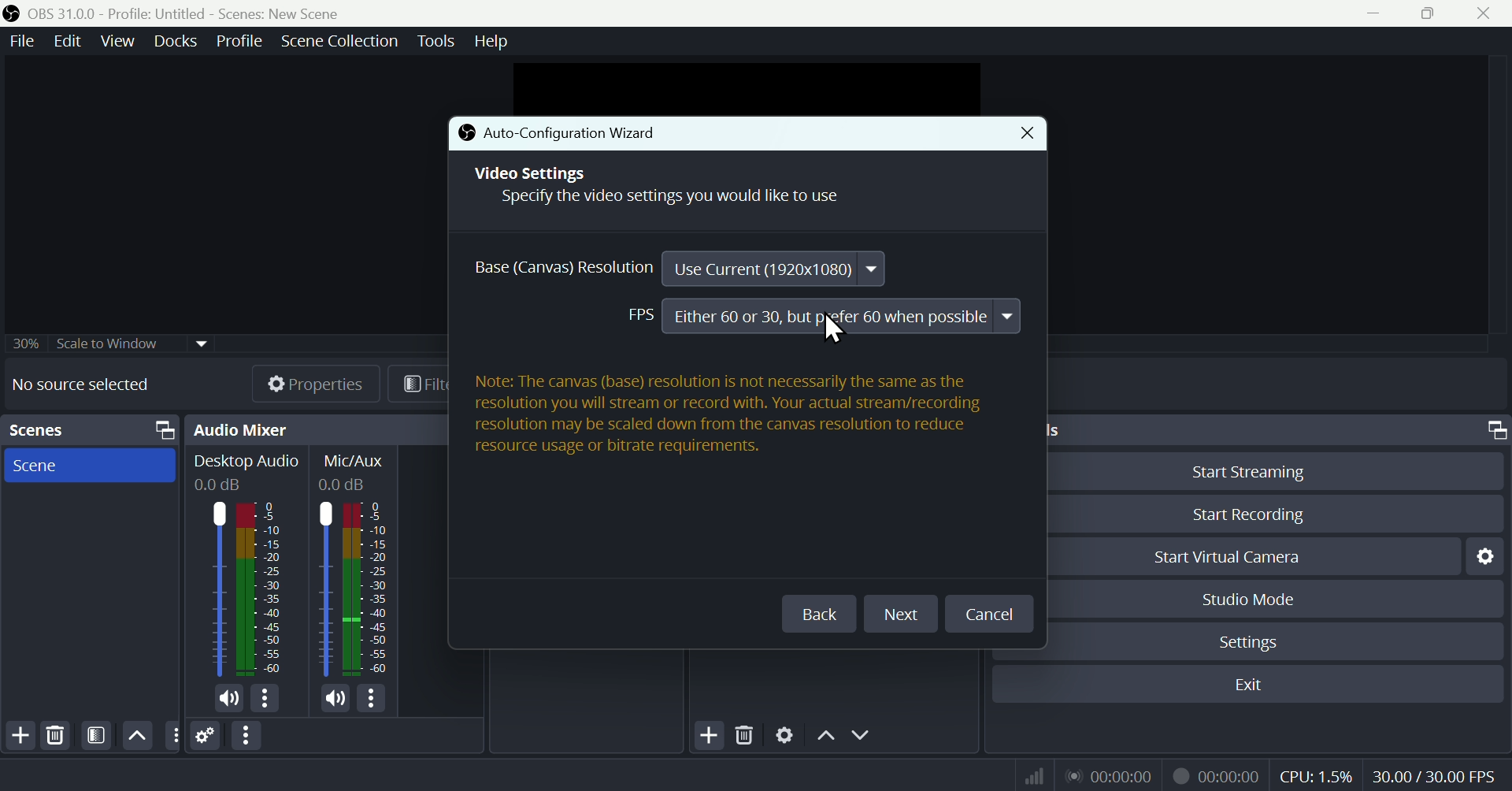  I want to click on Maximise, so click(1432, 13).